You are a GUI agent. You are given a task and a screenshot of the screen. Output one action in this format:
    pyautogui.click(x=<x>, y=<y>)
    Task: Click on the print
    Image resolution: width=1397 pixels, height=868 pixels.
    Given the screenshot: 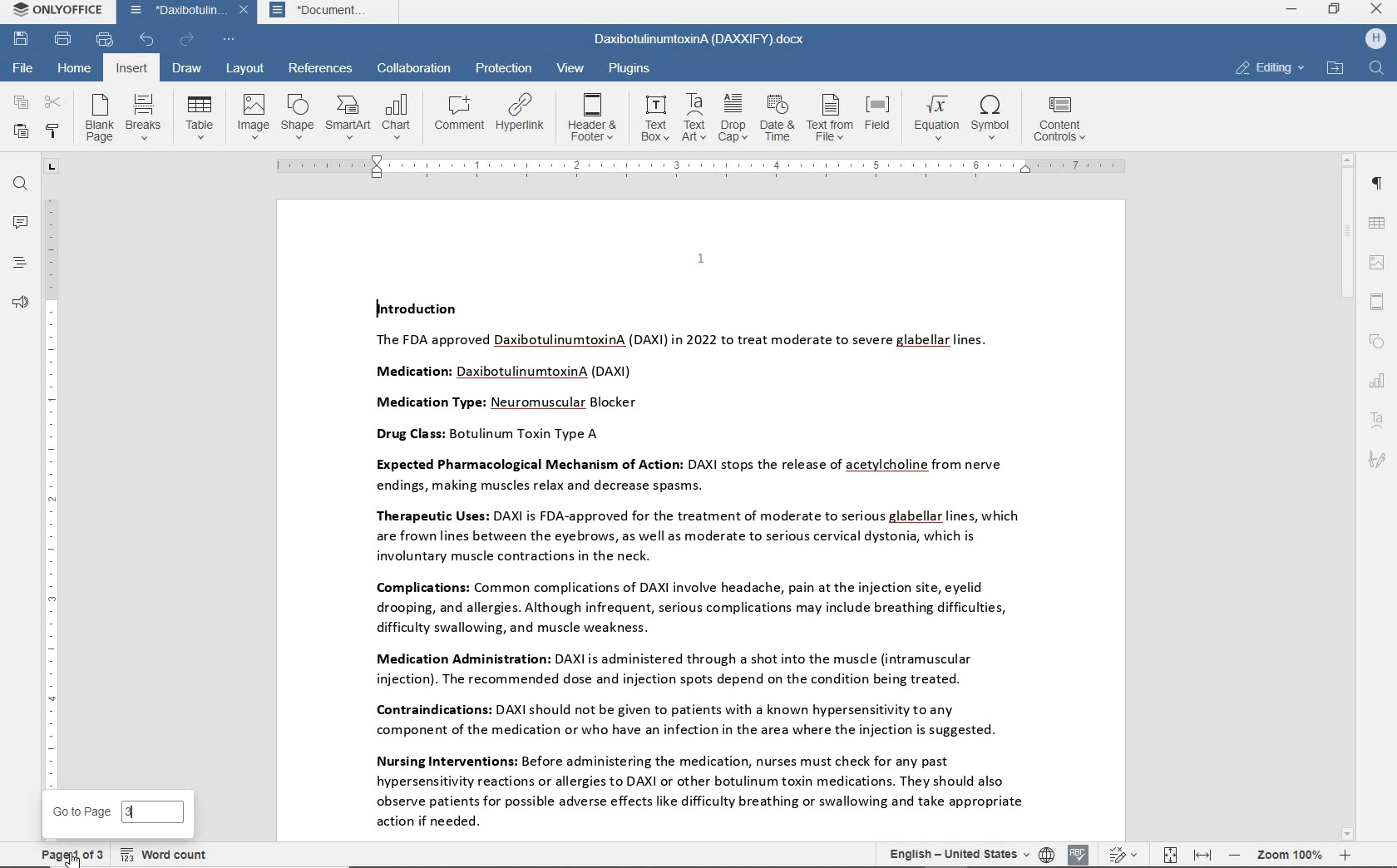 What is the action you would take?
    pyautogui.click(x=64, y=39)
    